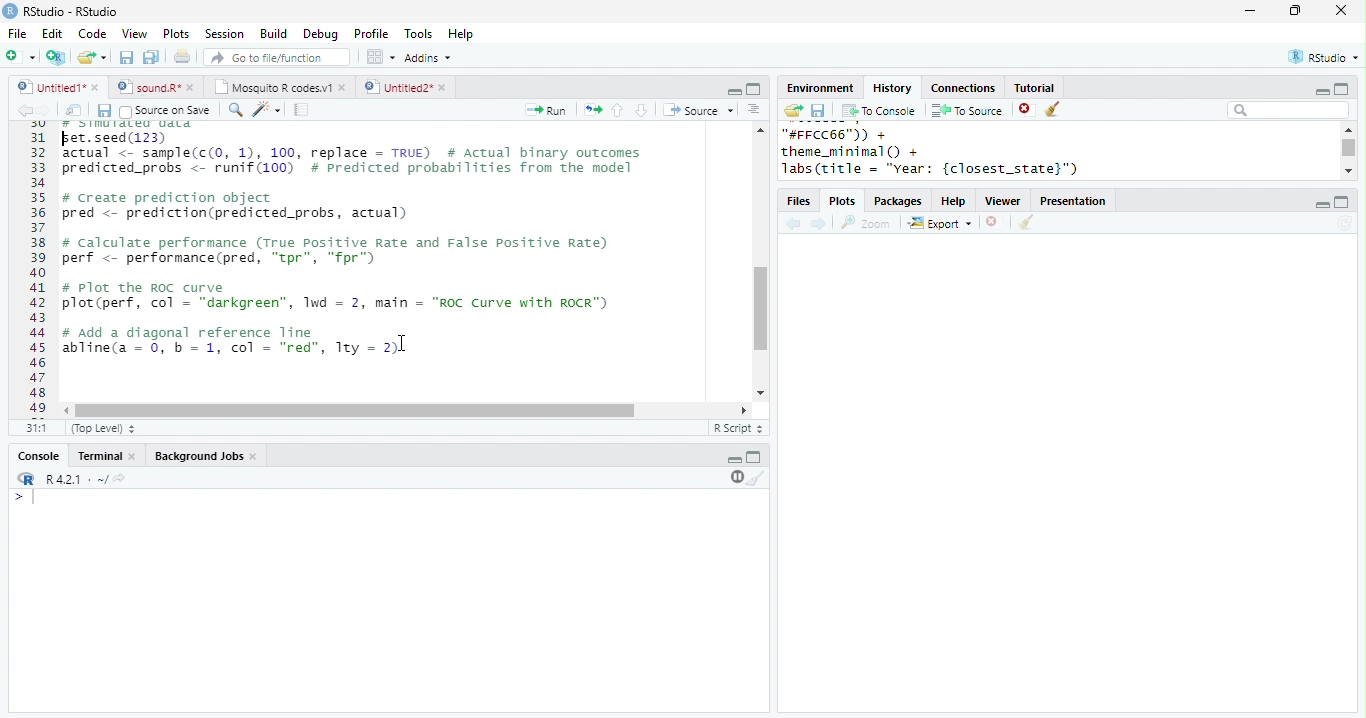 This screenshot has width=1366, height=718. What do you see at coordinates (1073, 201) in the screenshot?
I see `Presentation` at bounding box center [1073, 201].